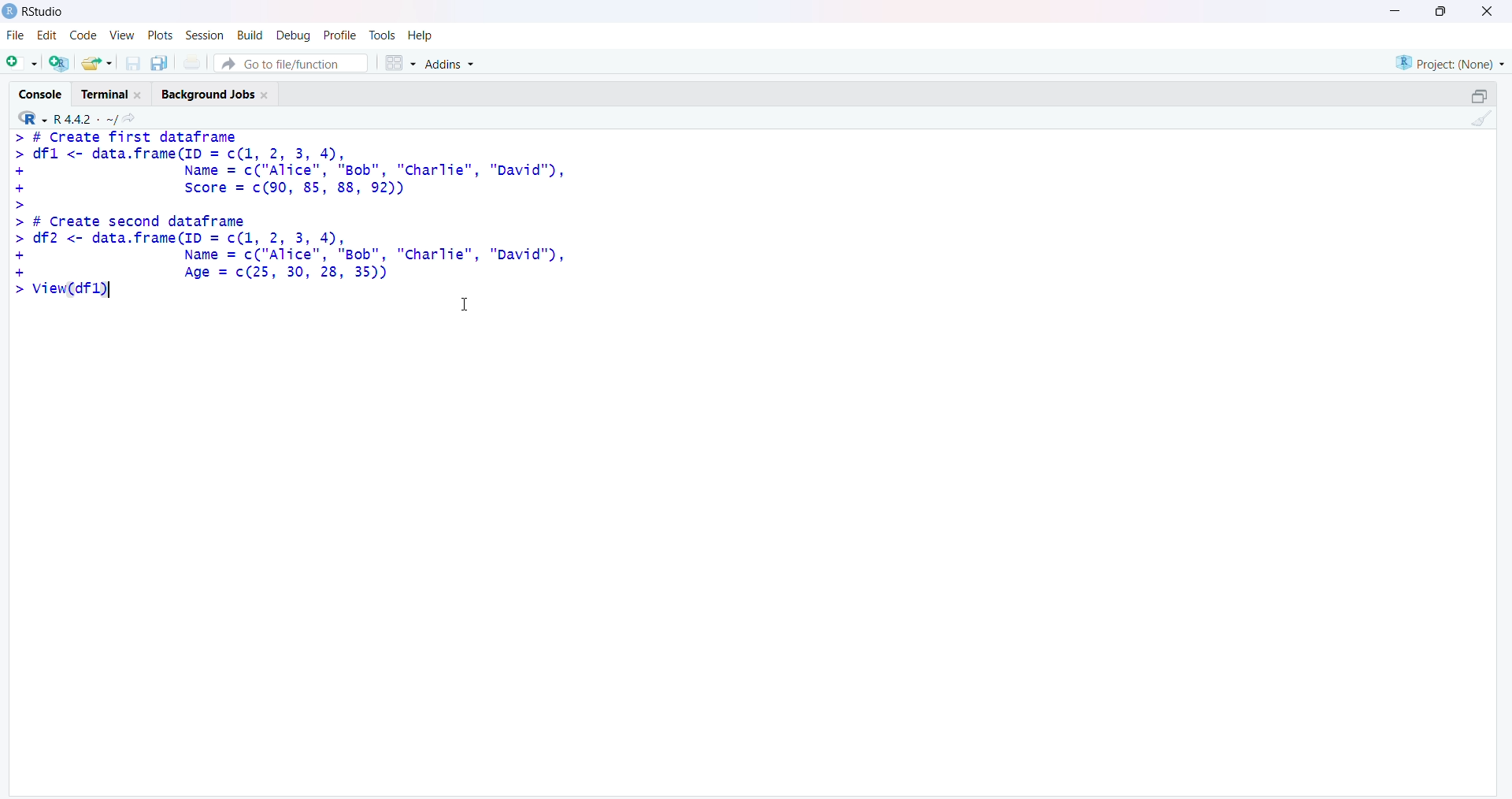  I want to click on cursor, so click(465, 305).